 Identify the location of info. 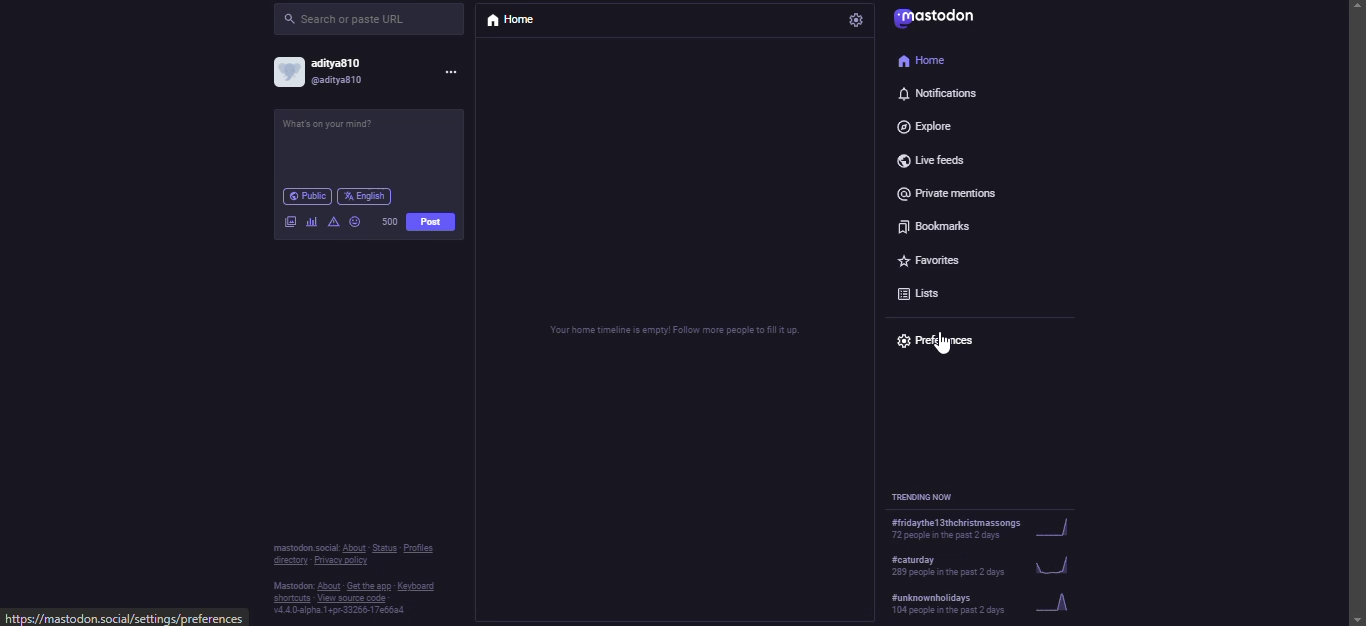
(355, 577).